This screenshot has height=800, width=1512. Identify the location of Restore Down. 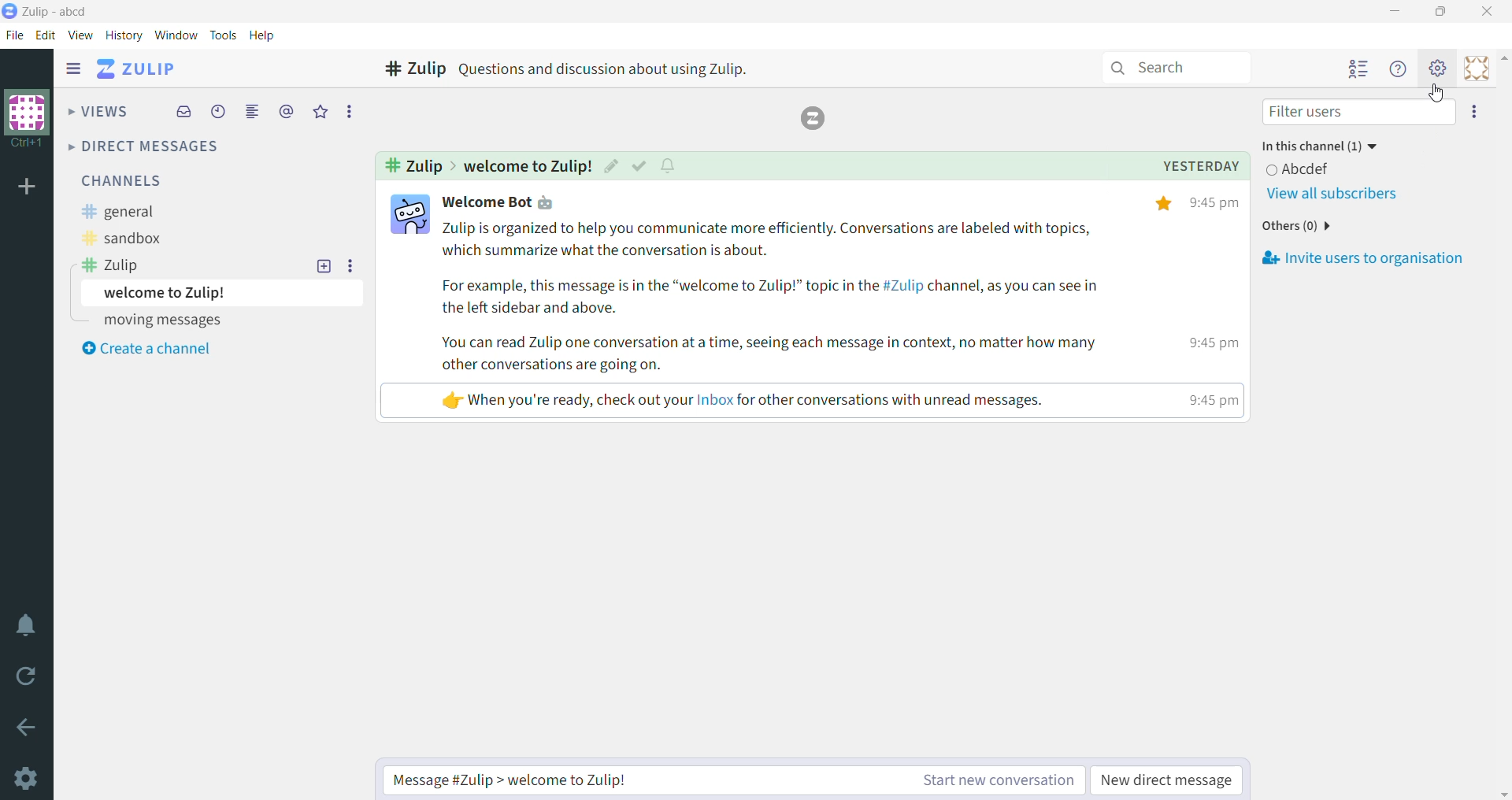
(1443, 12).